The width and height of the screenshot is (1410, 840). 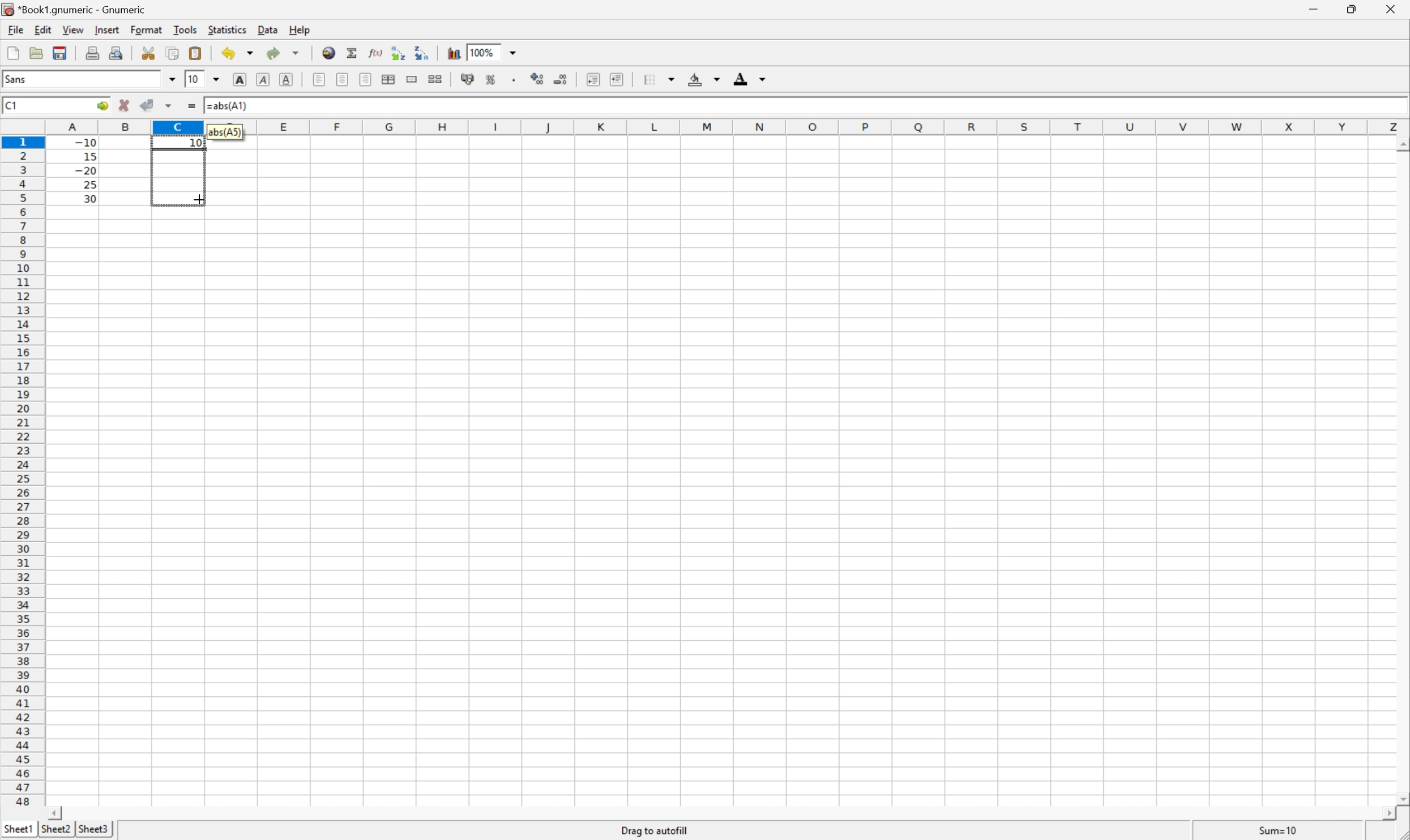 I want to click on Drag to autofill, so click(x=655, y=830).